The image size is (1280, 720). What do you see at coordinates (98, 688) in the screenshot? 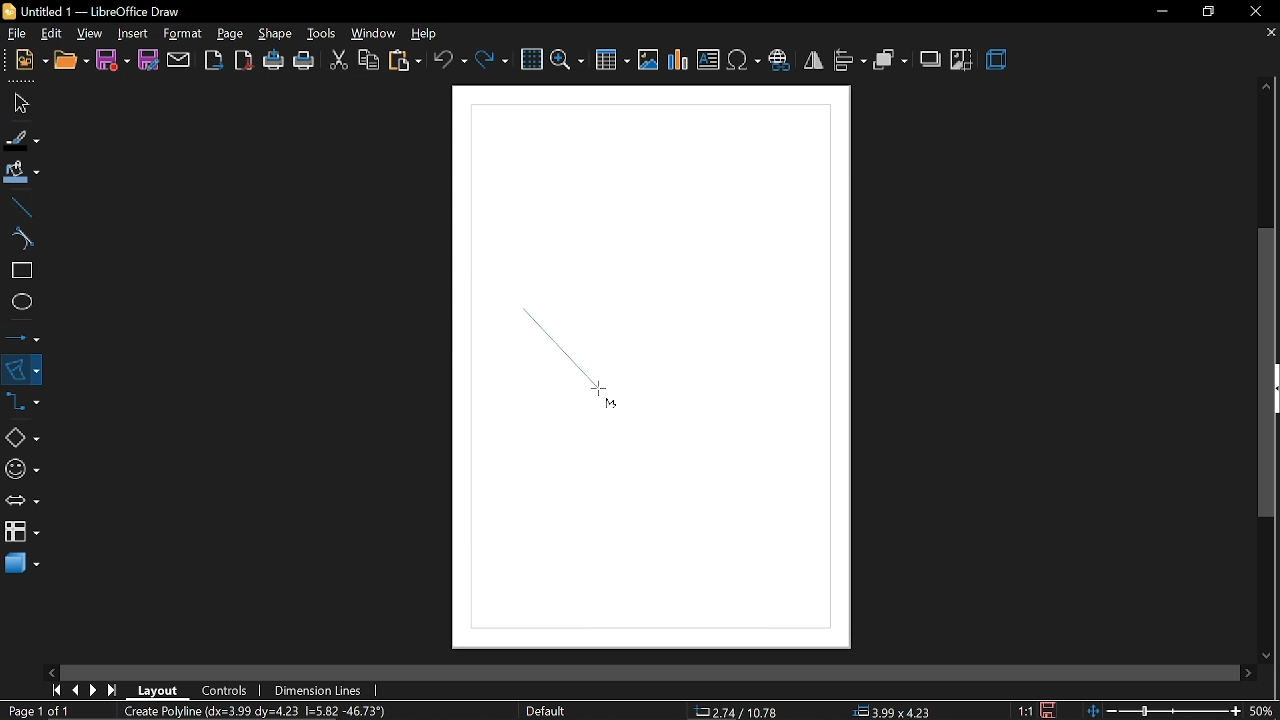
I see `next page` at bounding box center [98, 688].